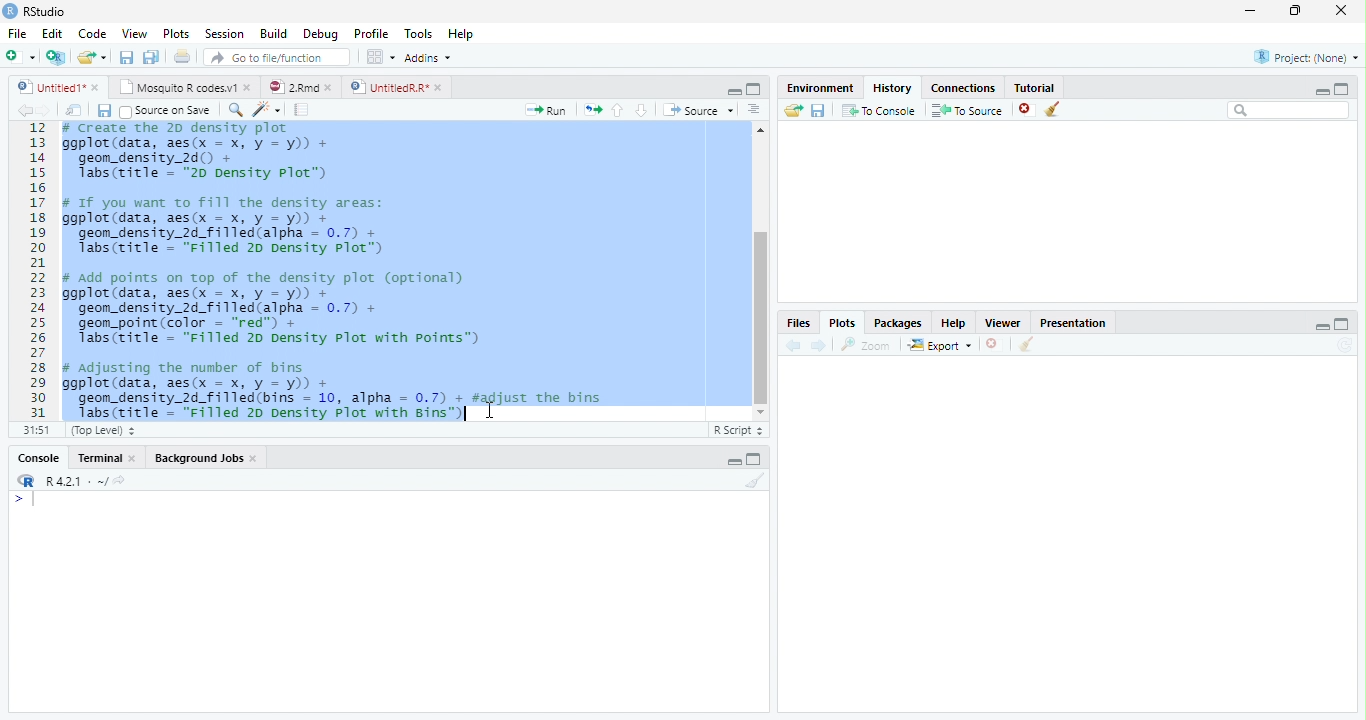 This screenshot has width=1366, height=720. Describe the element at coordinates (387, 86) in the screenshot. I see `UnttiedR Rr”` at that location.